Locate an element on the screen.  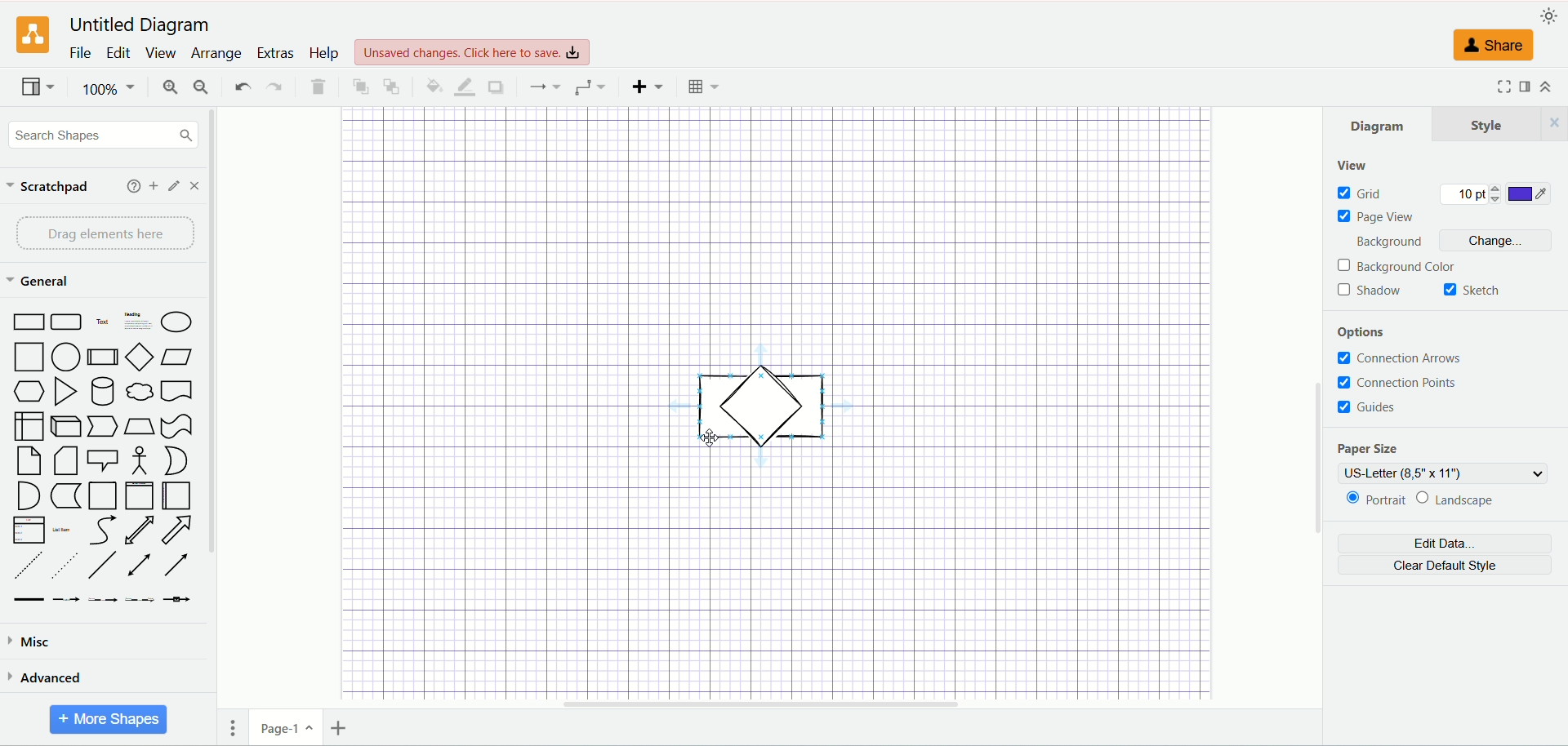
add is located at coordinates (150, 186).